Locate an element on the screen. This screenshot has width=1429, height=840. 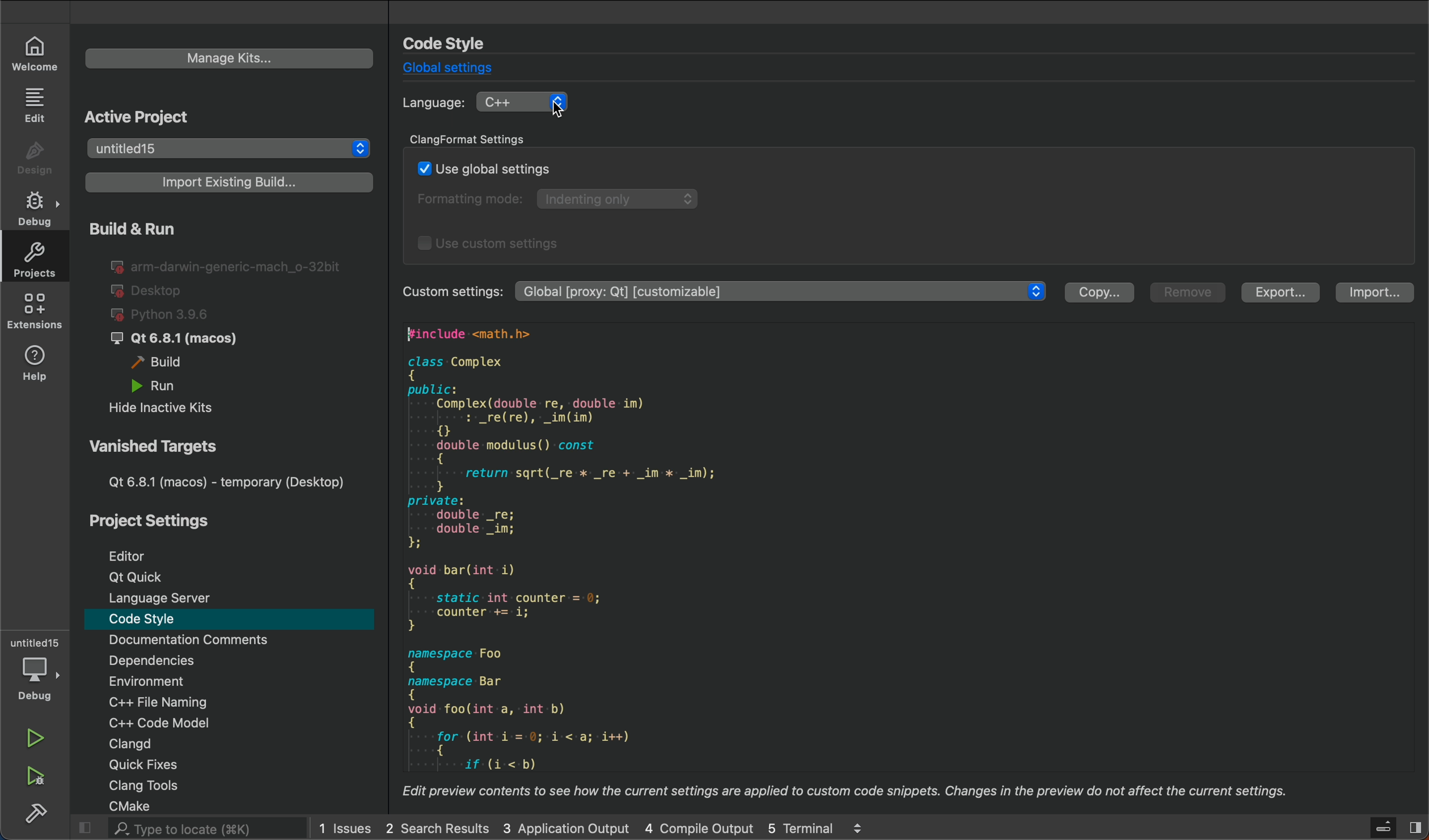
export is located at coordinates (1283, 293).